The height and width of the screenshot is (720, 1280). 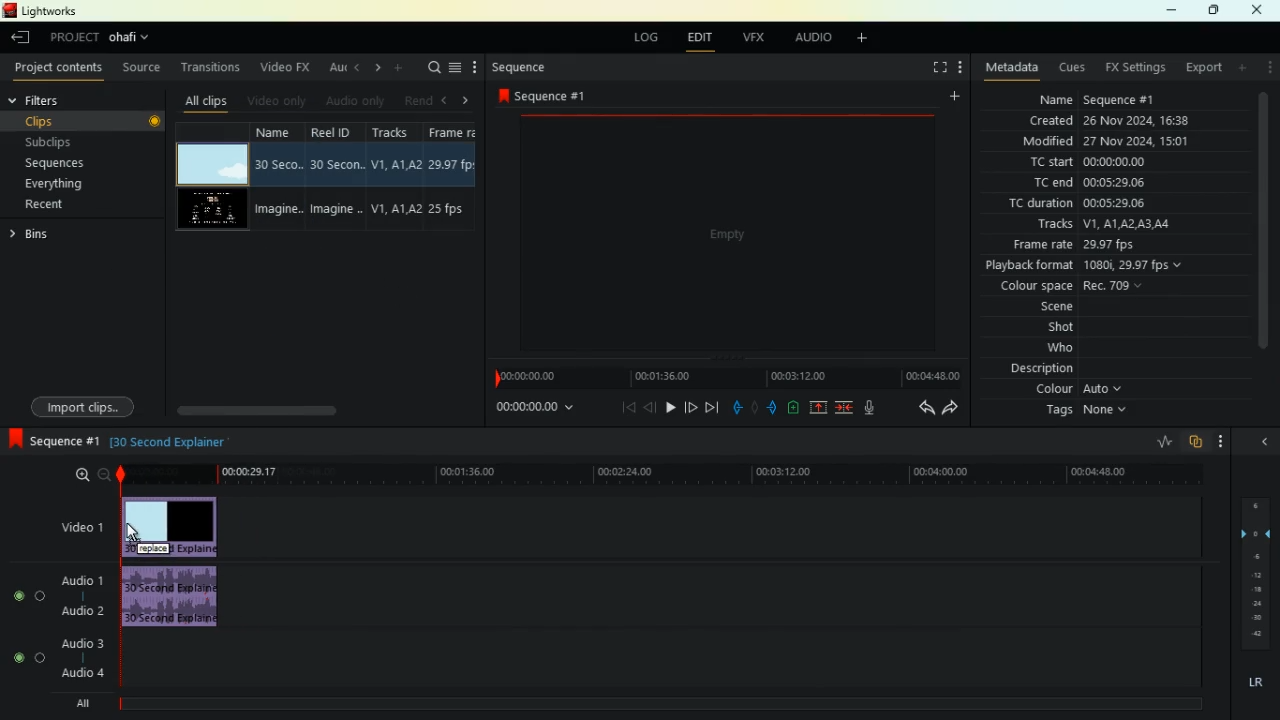 I want to click on hold, so click(x=755, y=406).